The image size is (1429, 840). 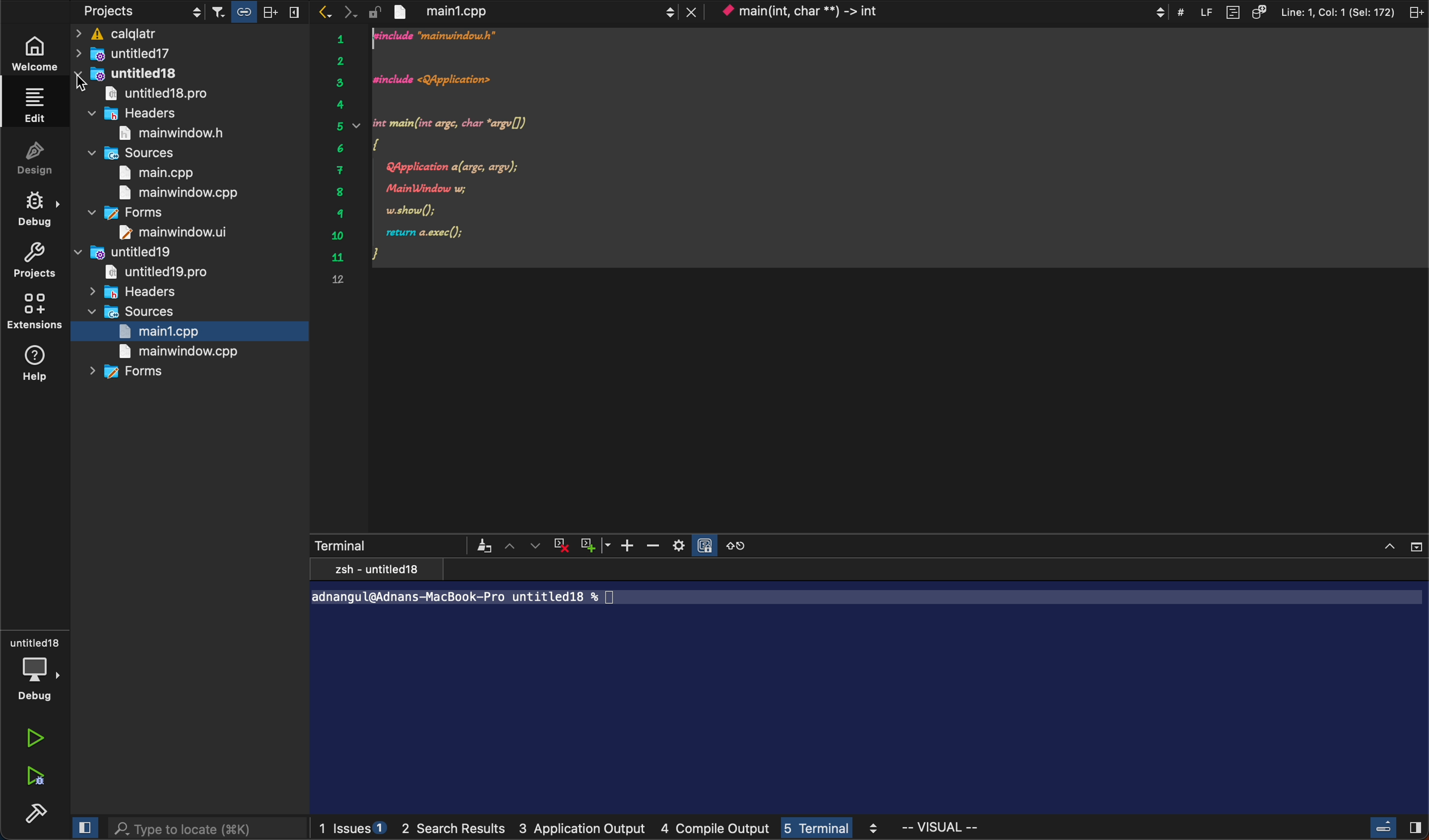 What do you see at coordinates (595, 547) in the screenshot?
I see `plus` at bounding box center [595, 547].